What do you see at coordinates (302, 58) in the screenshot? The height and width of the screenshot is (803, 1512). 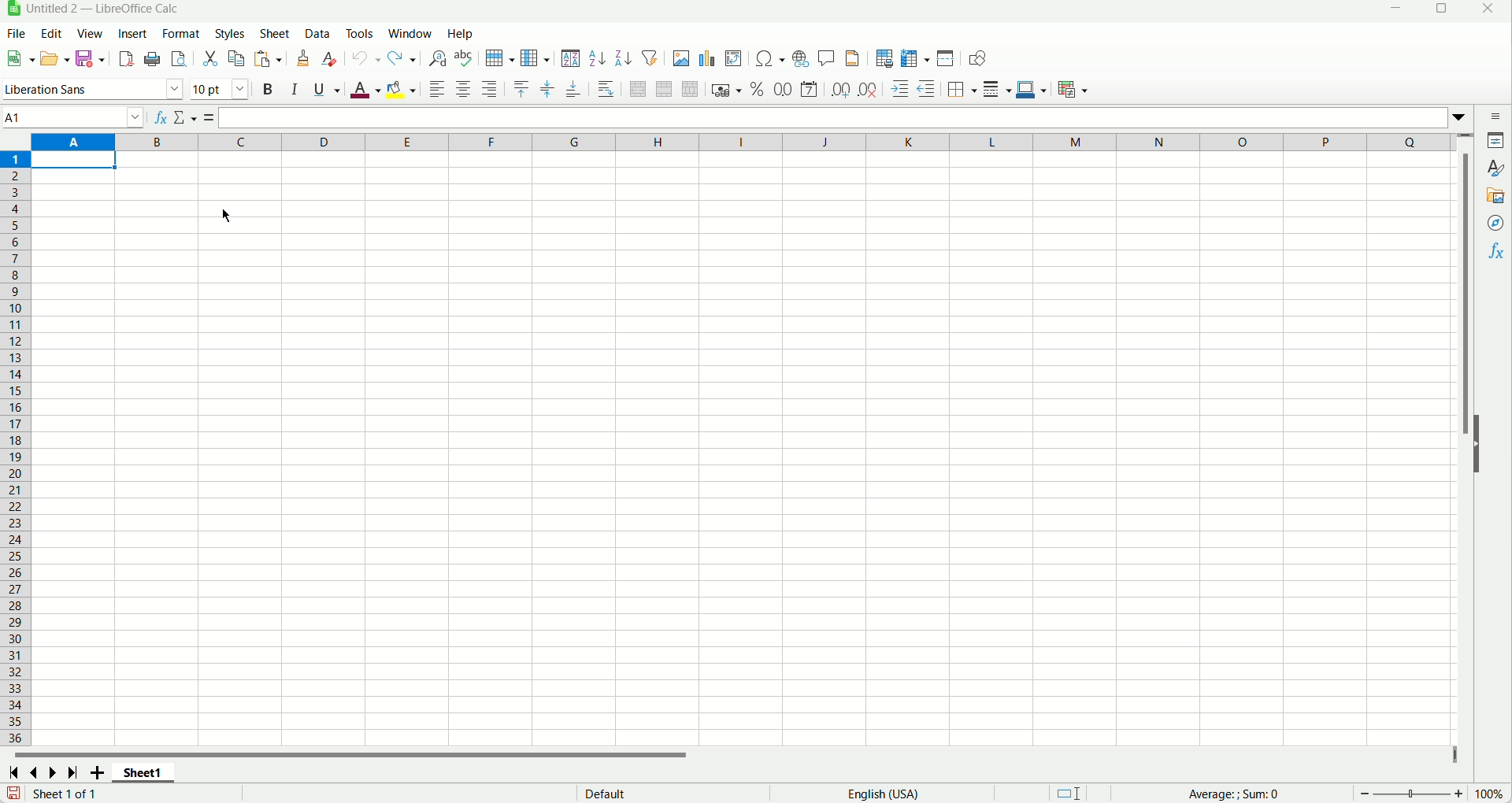 I see `Clone formatting` at bounding box center [302, 58].